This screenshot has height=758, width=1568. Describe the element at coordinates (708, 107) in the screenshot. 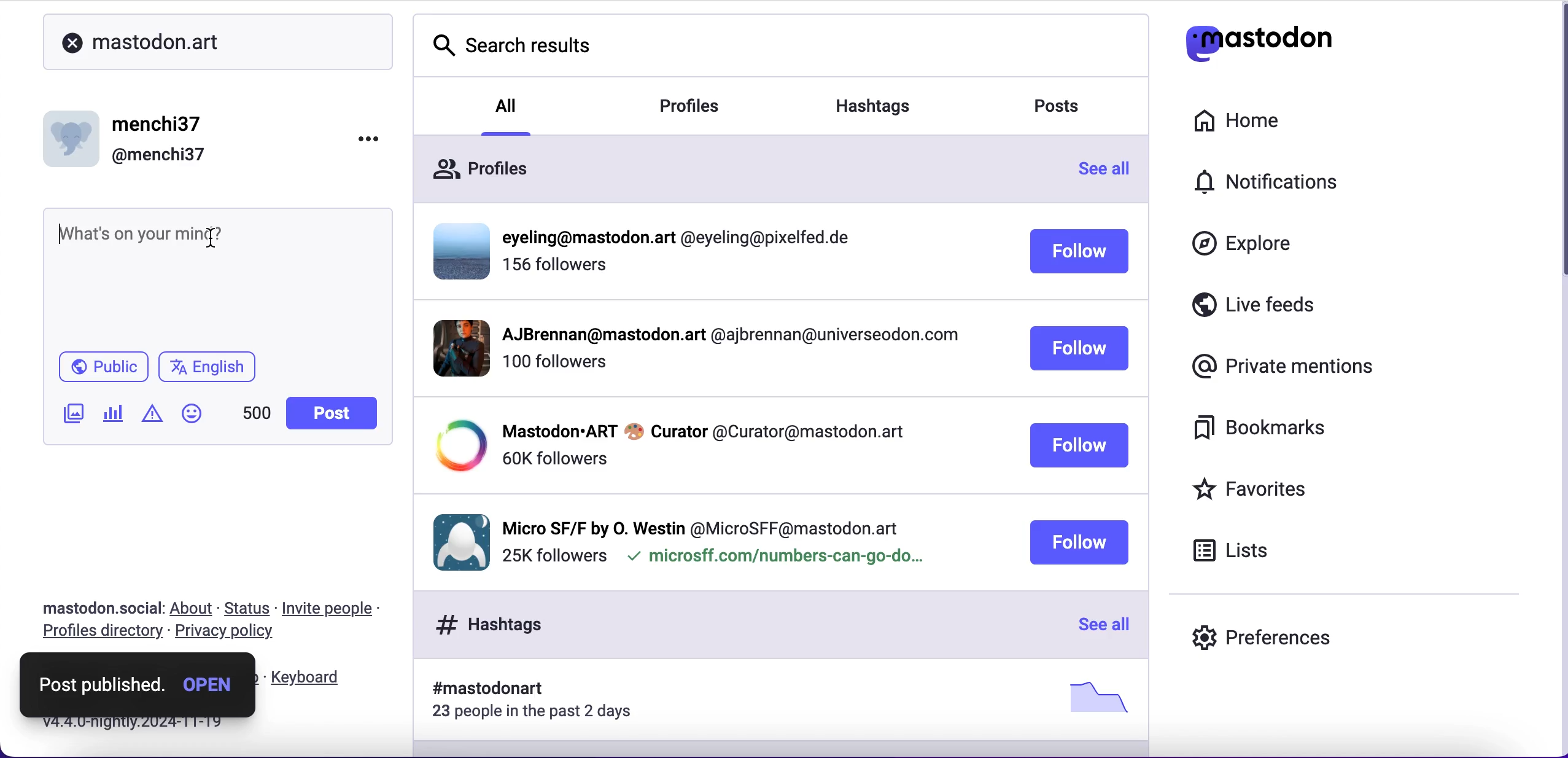

I see `profiles` at that location.